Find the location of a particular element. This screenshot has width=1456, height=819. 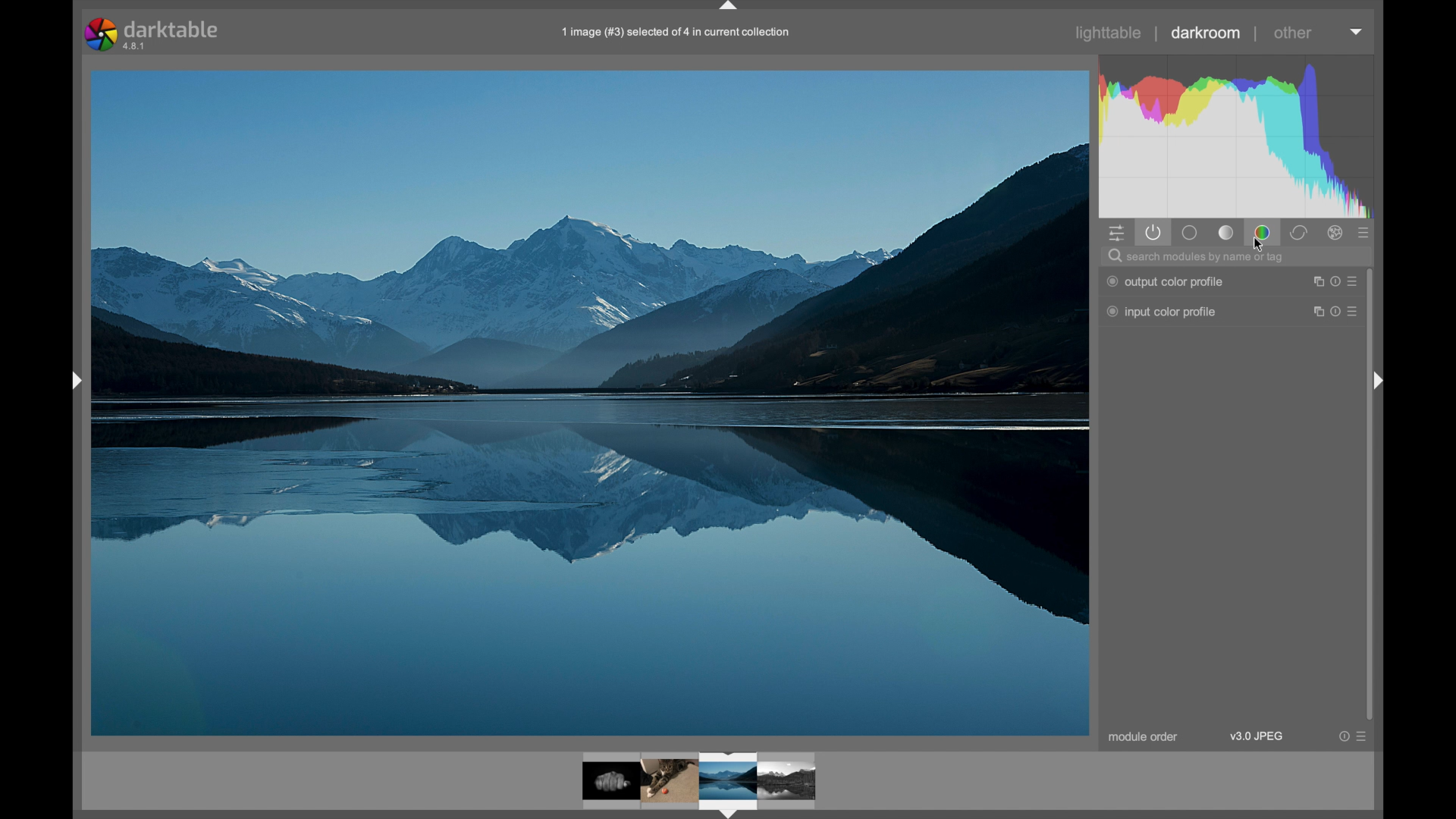

more options is located at coordinates (1335, 312).